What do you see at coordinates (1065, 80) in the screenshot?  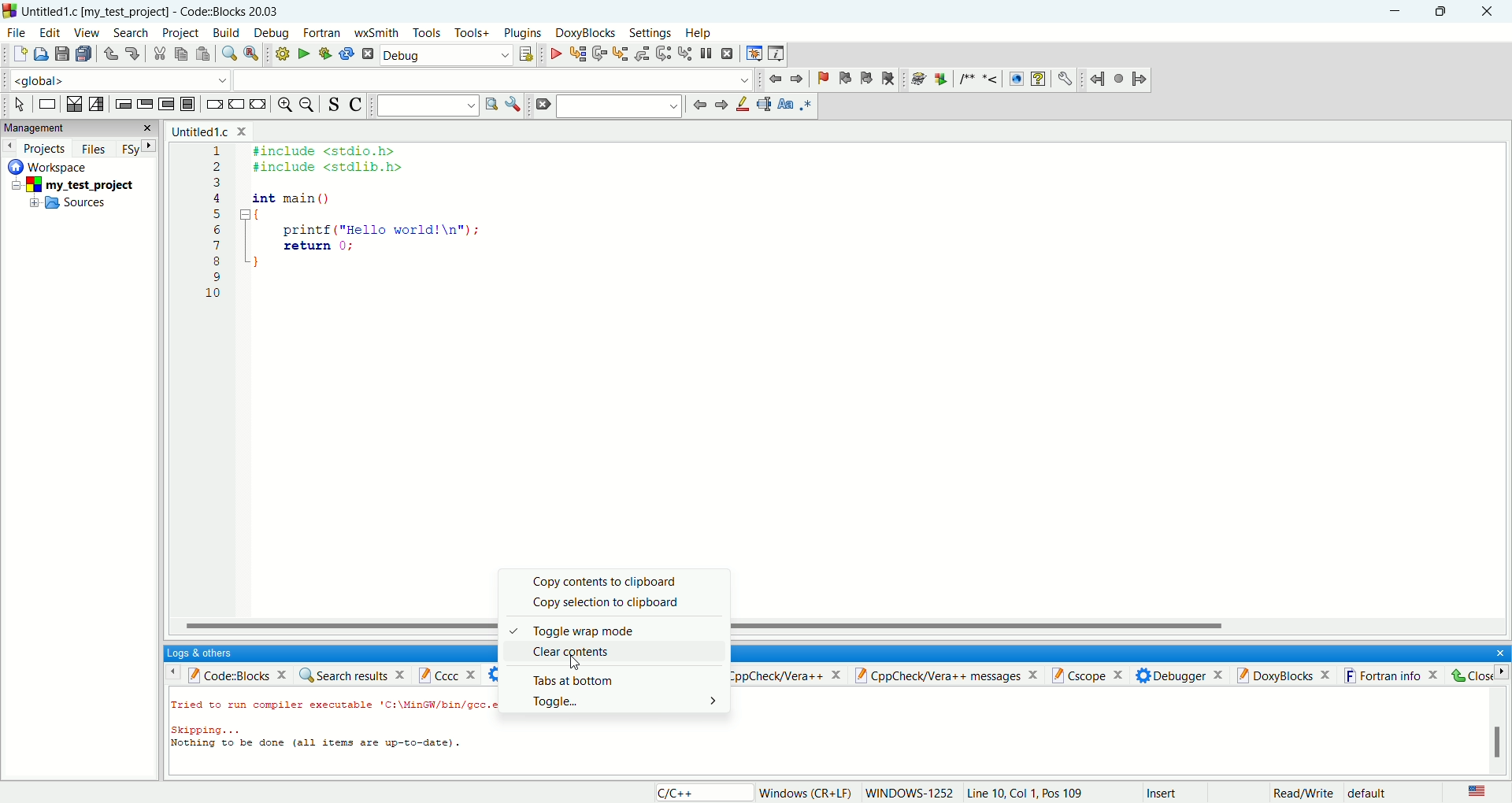 I see `preferences` at bounding box center [1065, 80].